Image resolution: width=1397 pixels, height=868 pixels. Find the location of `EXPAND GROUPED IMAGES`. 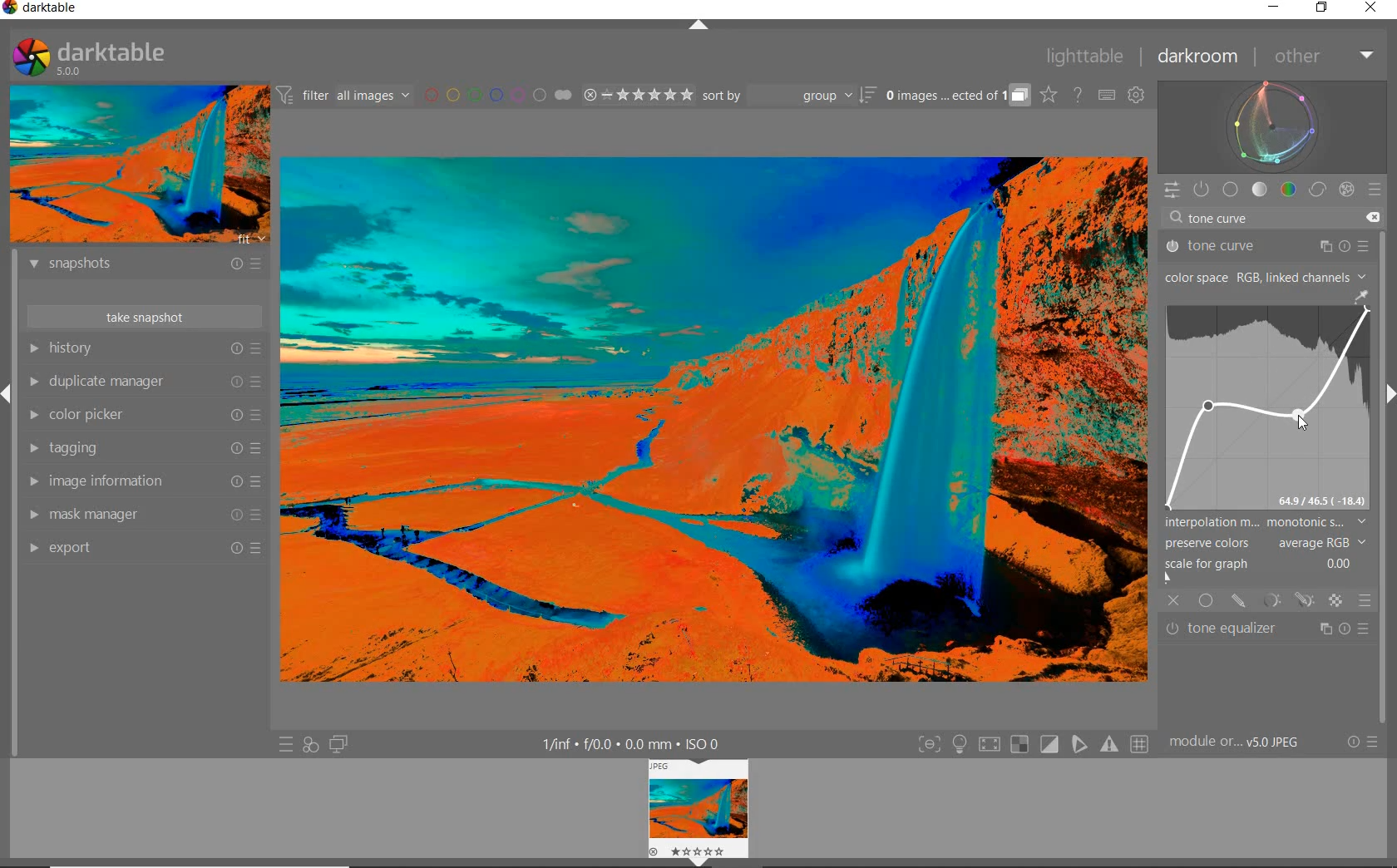

EXPAND GROUPED IMAGES is located at coordinates (958, 96).